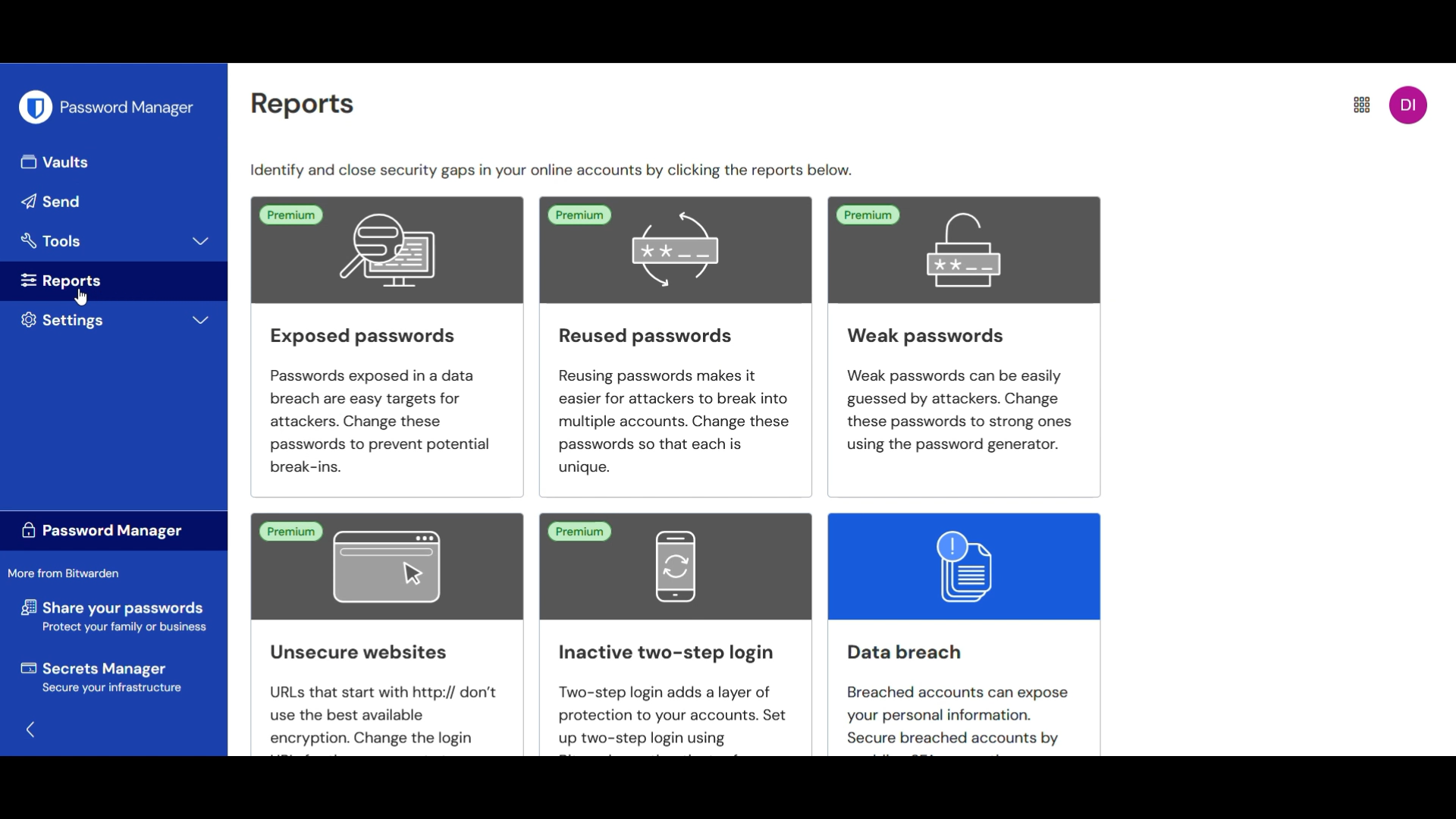 The height and width of the screenshot is (819, 1456). I want to click on Unsecure websites

URLs that start with http:// don't
use the best available
encryption. Change the login, so click(389, 632).